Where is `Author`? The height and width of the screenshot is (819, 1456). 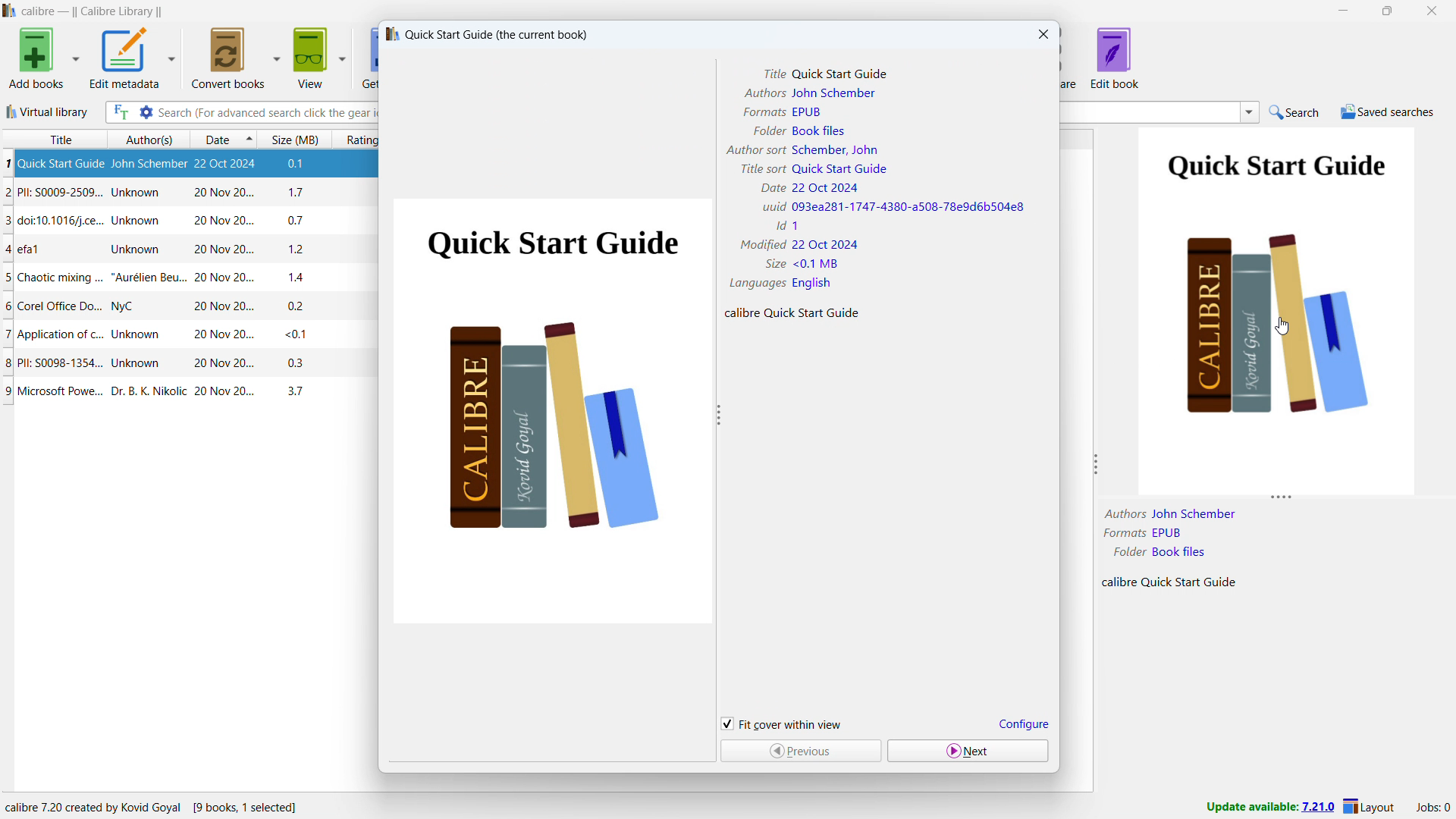 Author is located at coordinates (1123, 513).